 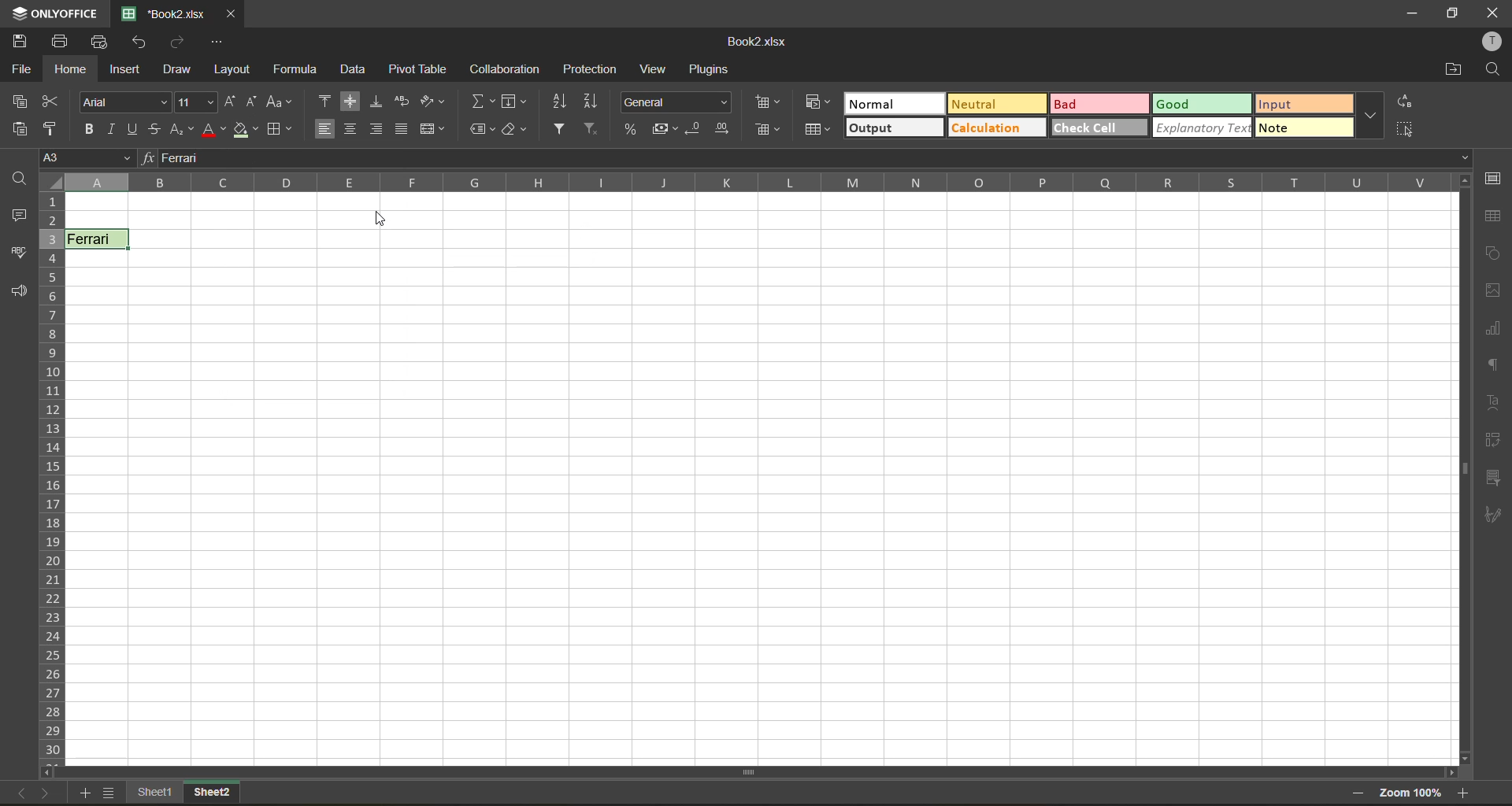 I want to click on comments, so click(x=17, y=216).